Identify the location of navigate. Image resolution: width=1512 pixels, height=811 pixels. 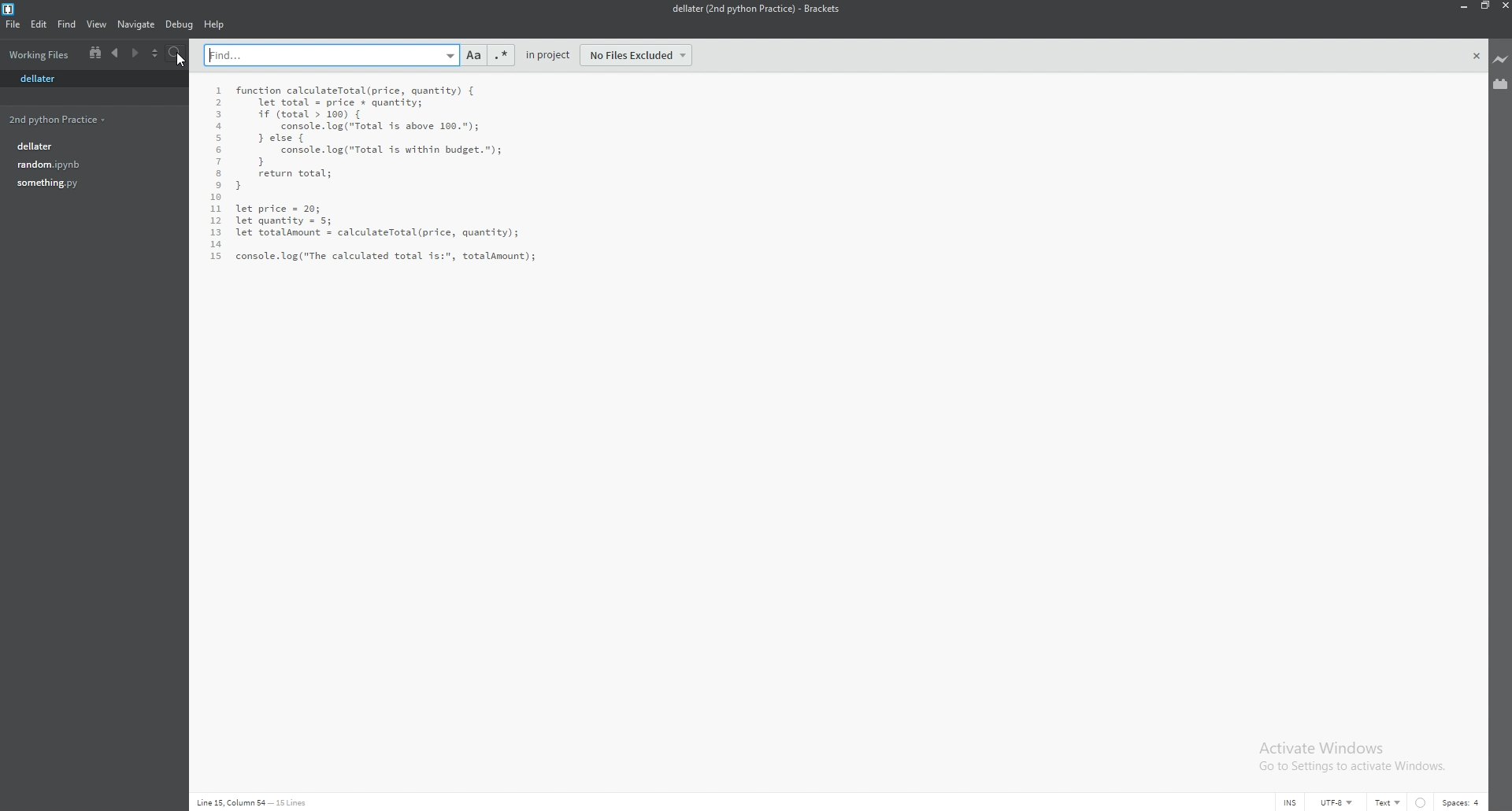
(137, 25).